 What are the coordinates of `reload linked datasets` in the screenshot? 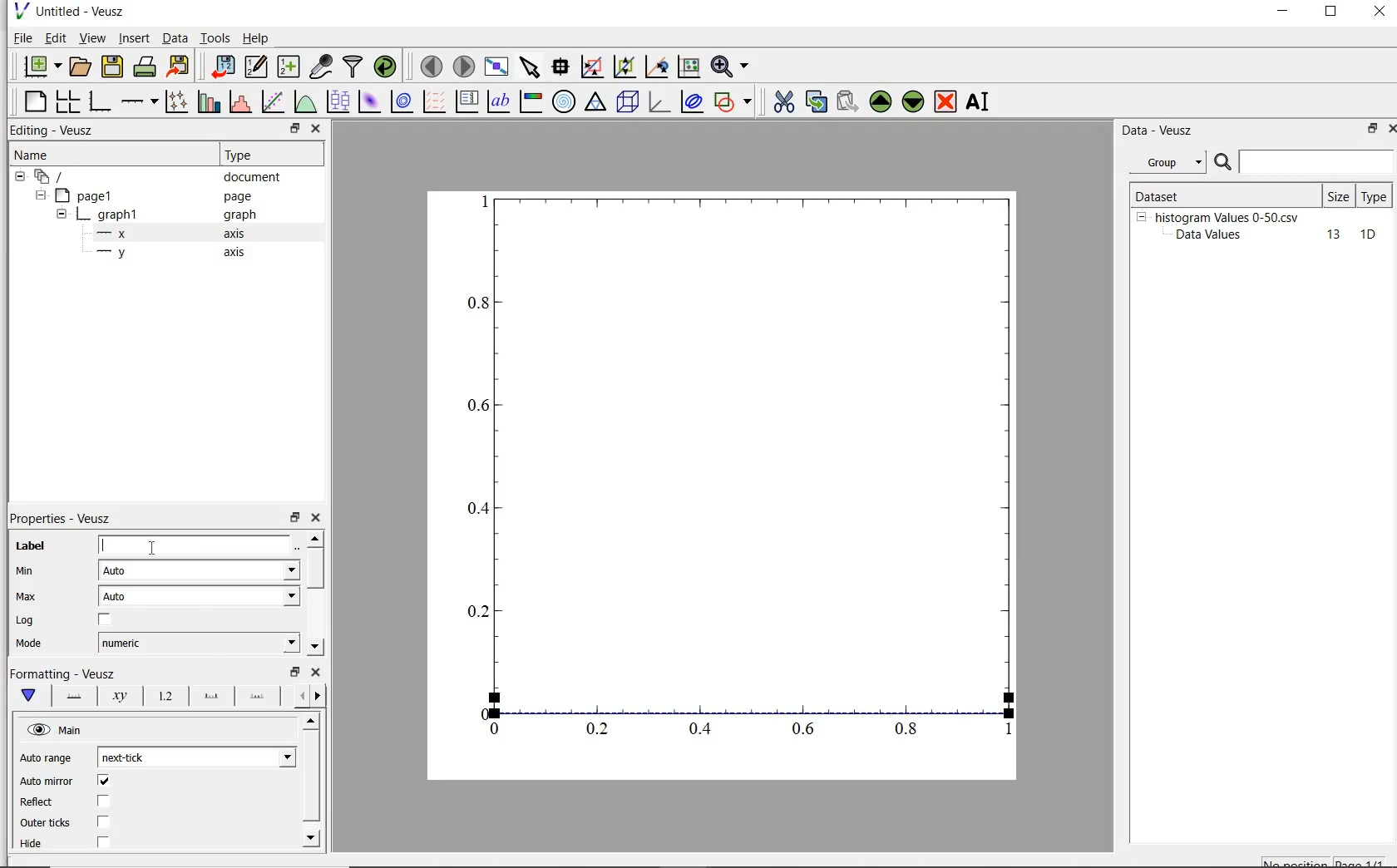 It's located at (388, 67).